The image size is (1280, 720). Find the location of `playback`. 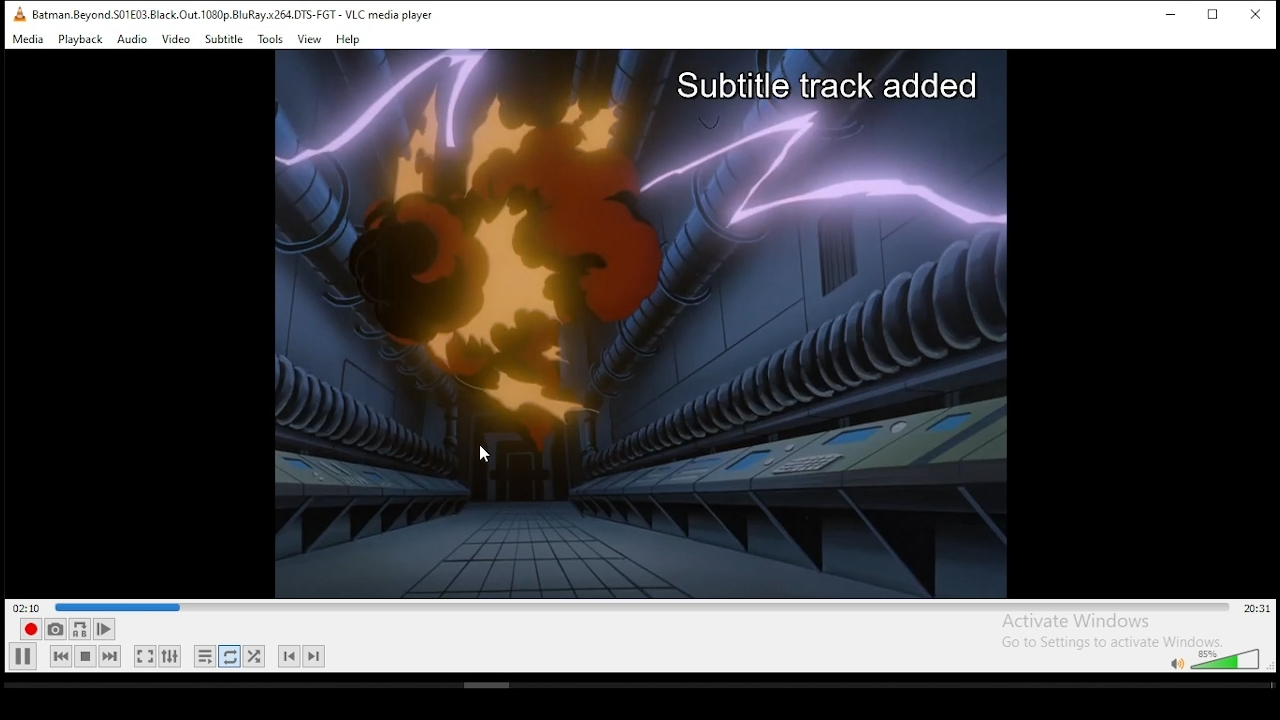

playback is located at coordinates (81, 39).